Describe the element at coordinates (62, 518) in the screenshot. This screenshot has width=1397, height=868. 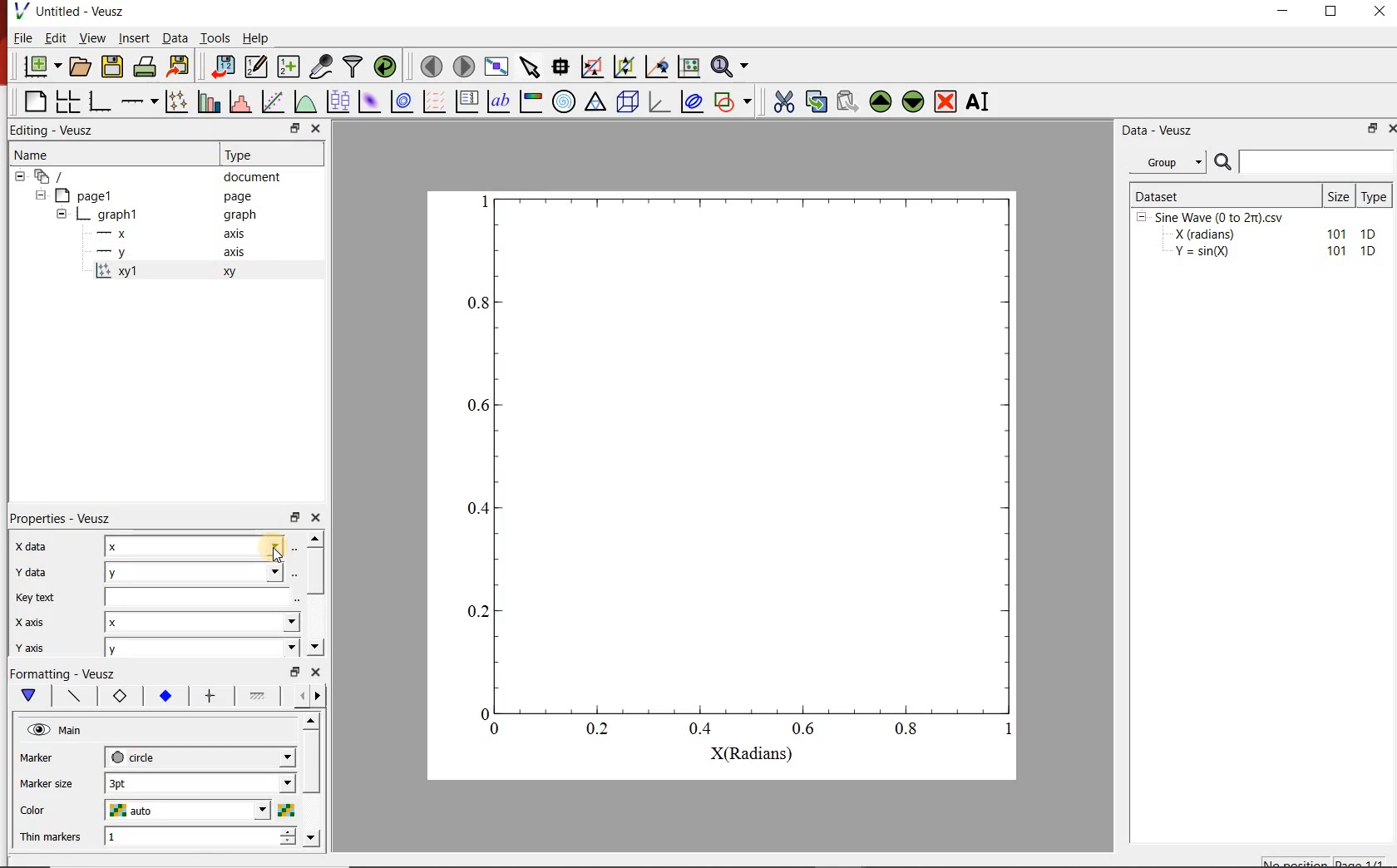
I see `Properties - Veusz` at that location.